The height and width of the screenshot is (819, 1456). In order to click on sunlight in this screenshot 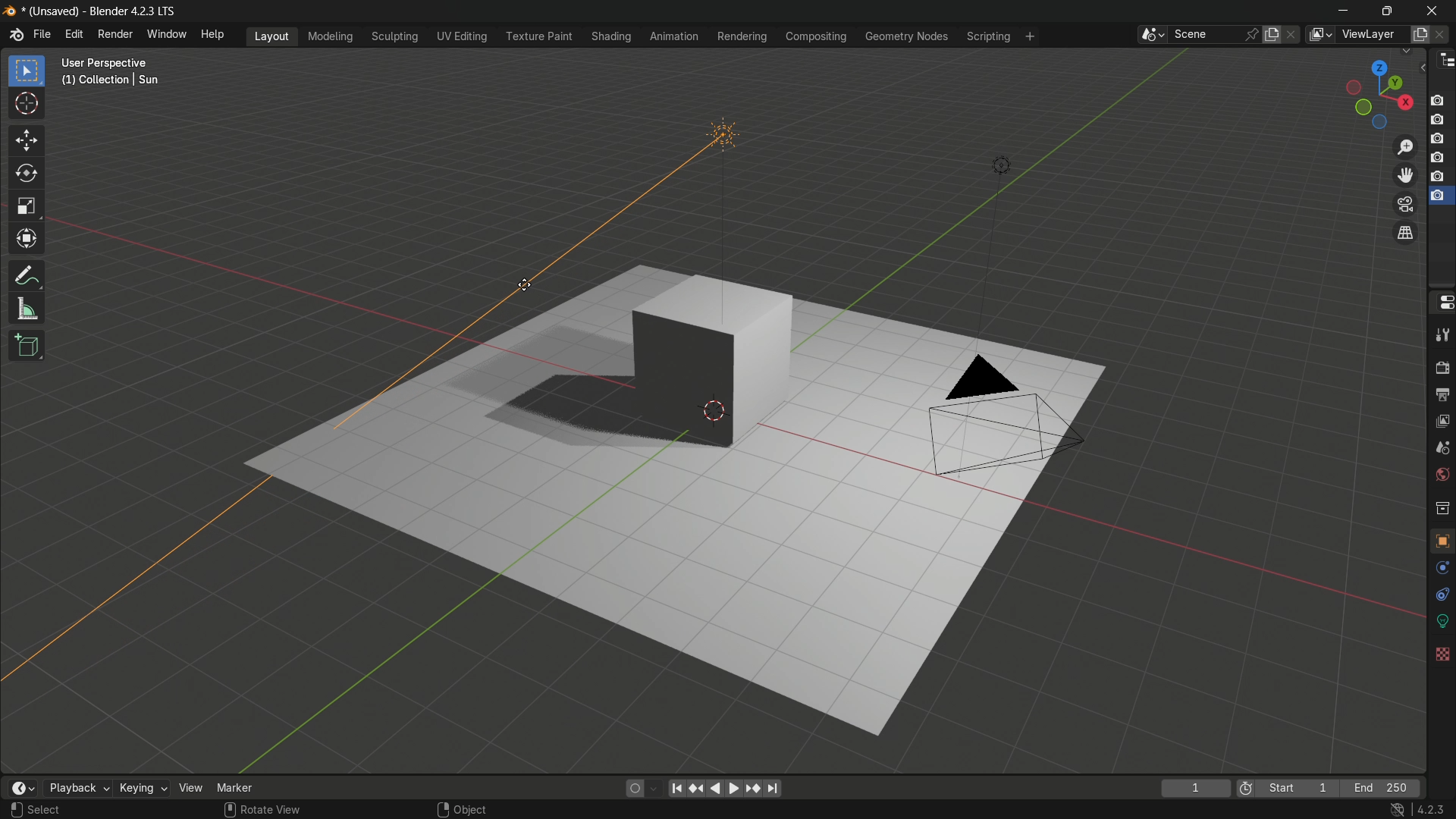, I will do `click(723, 192)`.